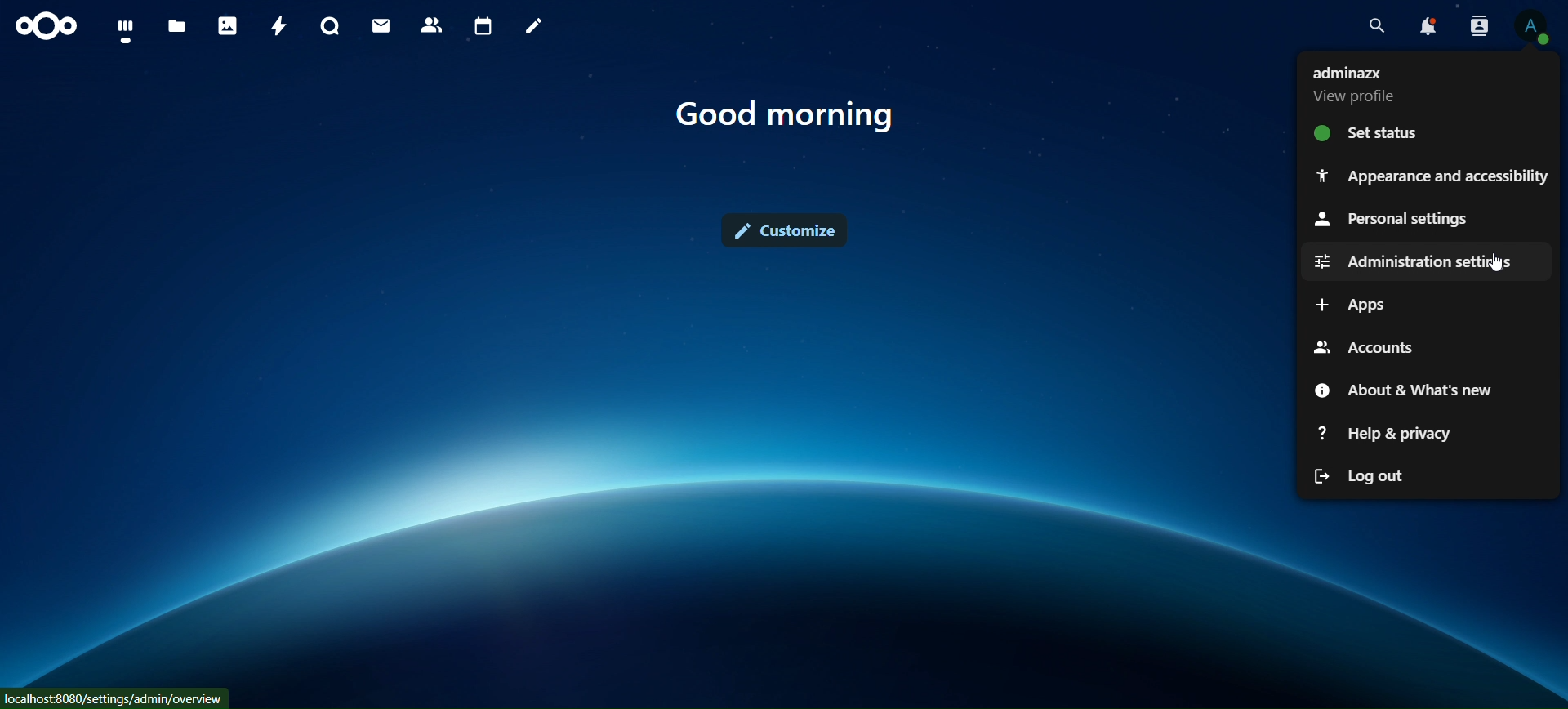 The width and height of the screenshot is (1568, 709). I want to click on mail, so click(385, 27).